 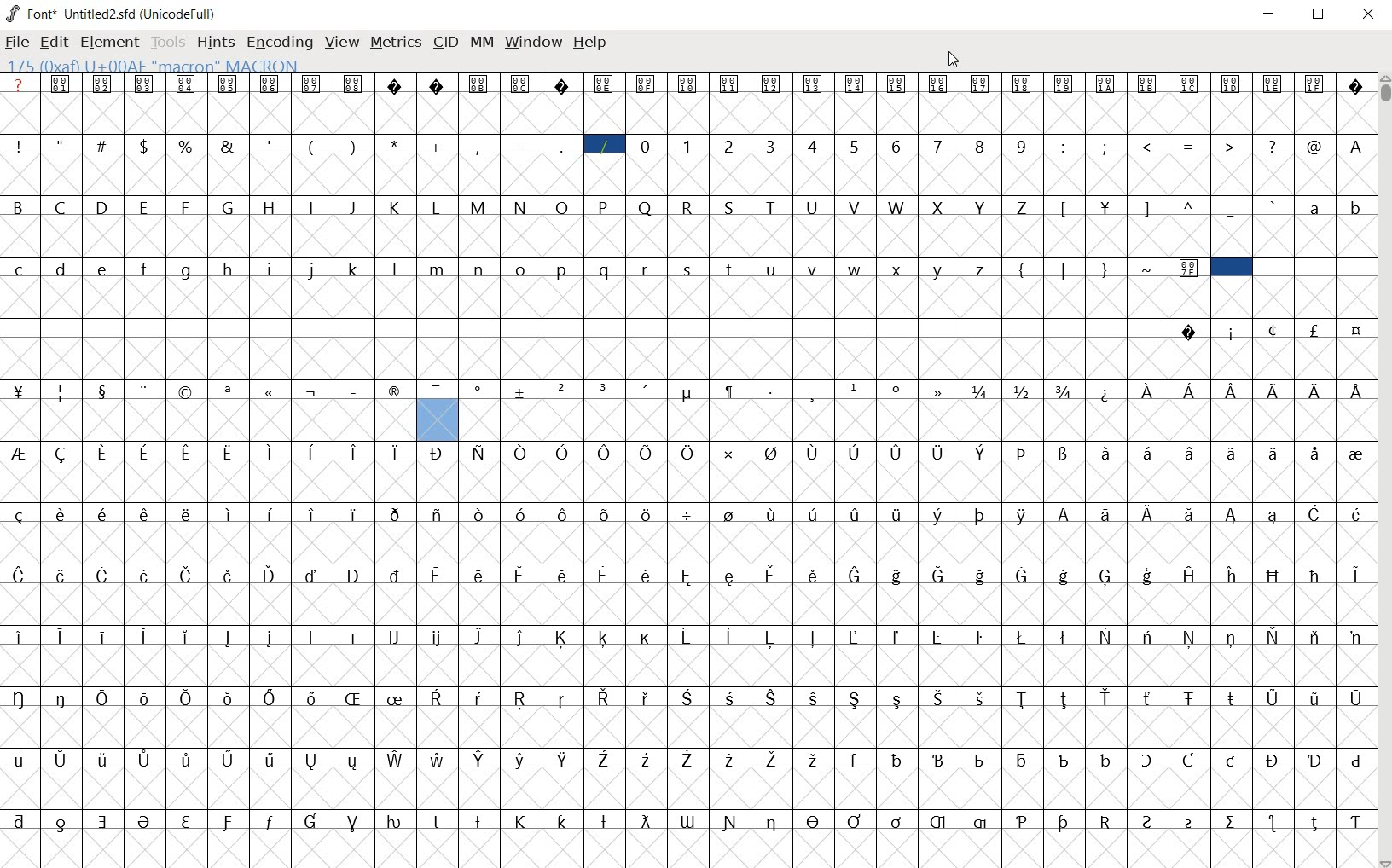 What do you see at coordinates (855, 454) in the screenshot?
I see `Symbol` at bounding box center [855, 454].